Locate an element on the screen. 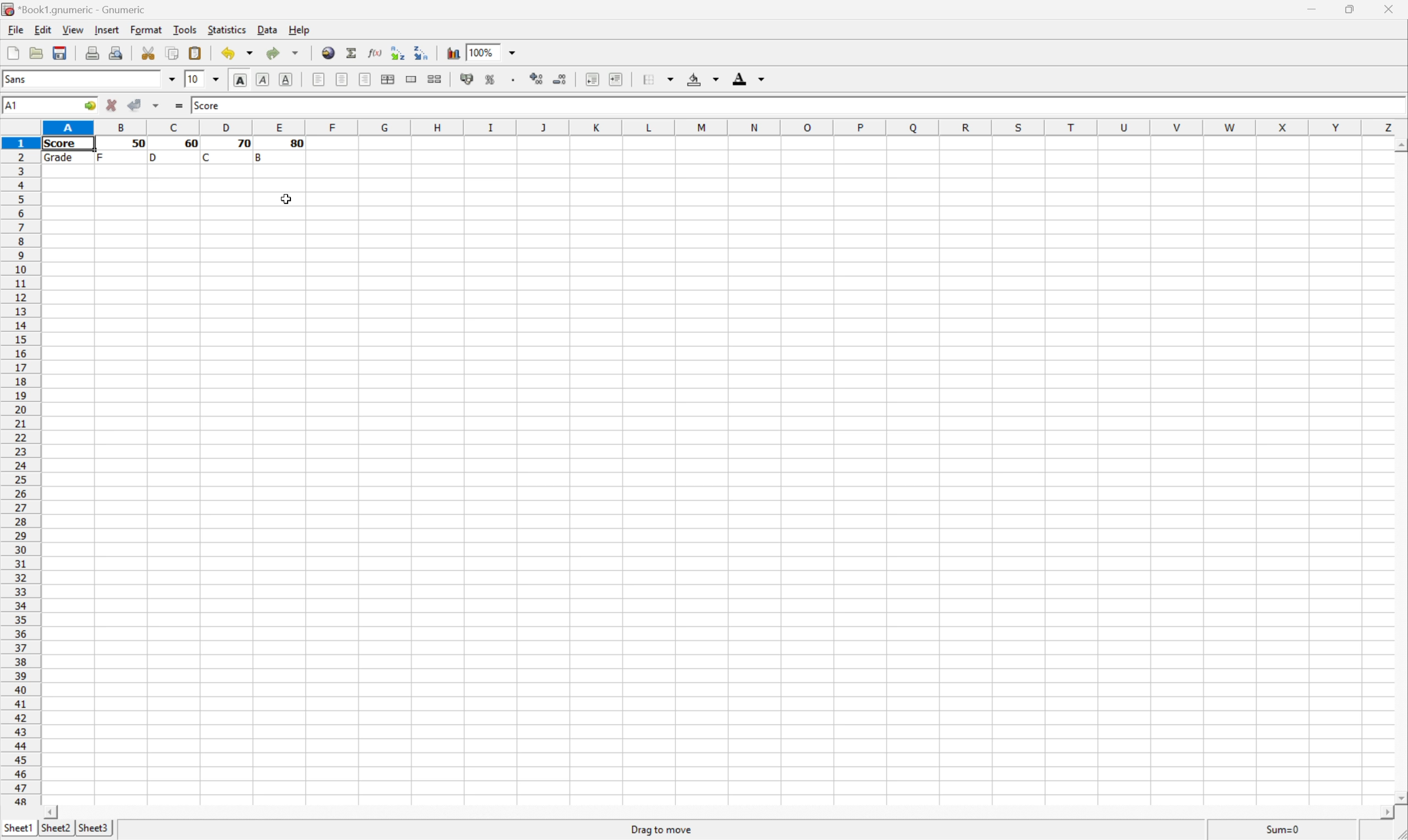  Sheet 2 is located at coordinates (57, 827).